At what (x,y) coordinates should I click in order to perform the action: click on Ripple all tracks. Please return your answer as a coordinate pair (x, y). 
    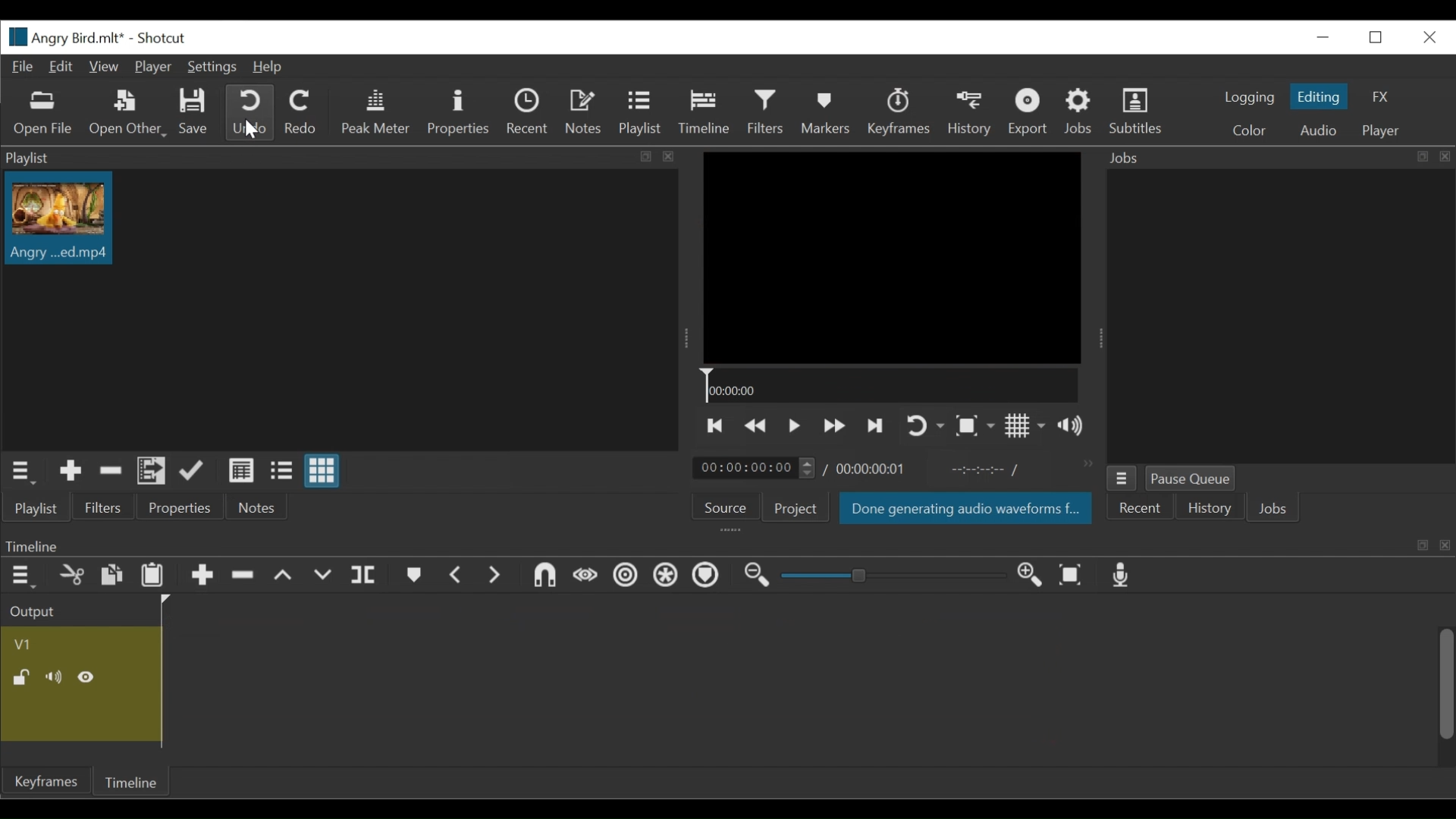
    Looking at the image, I should click on (665, 575).